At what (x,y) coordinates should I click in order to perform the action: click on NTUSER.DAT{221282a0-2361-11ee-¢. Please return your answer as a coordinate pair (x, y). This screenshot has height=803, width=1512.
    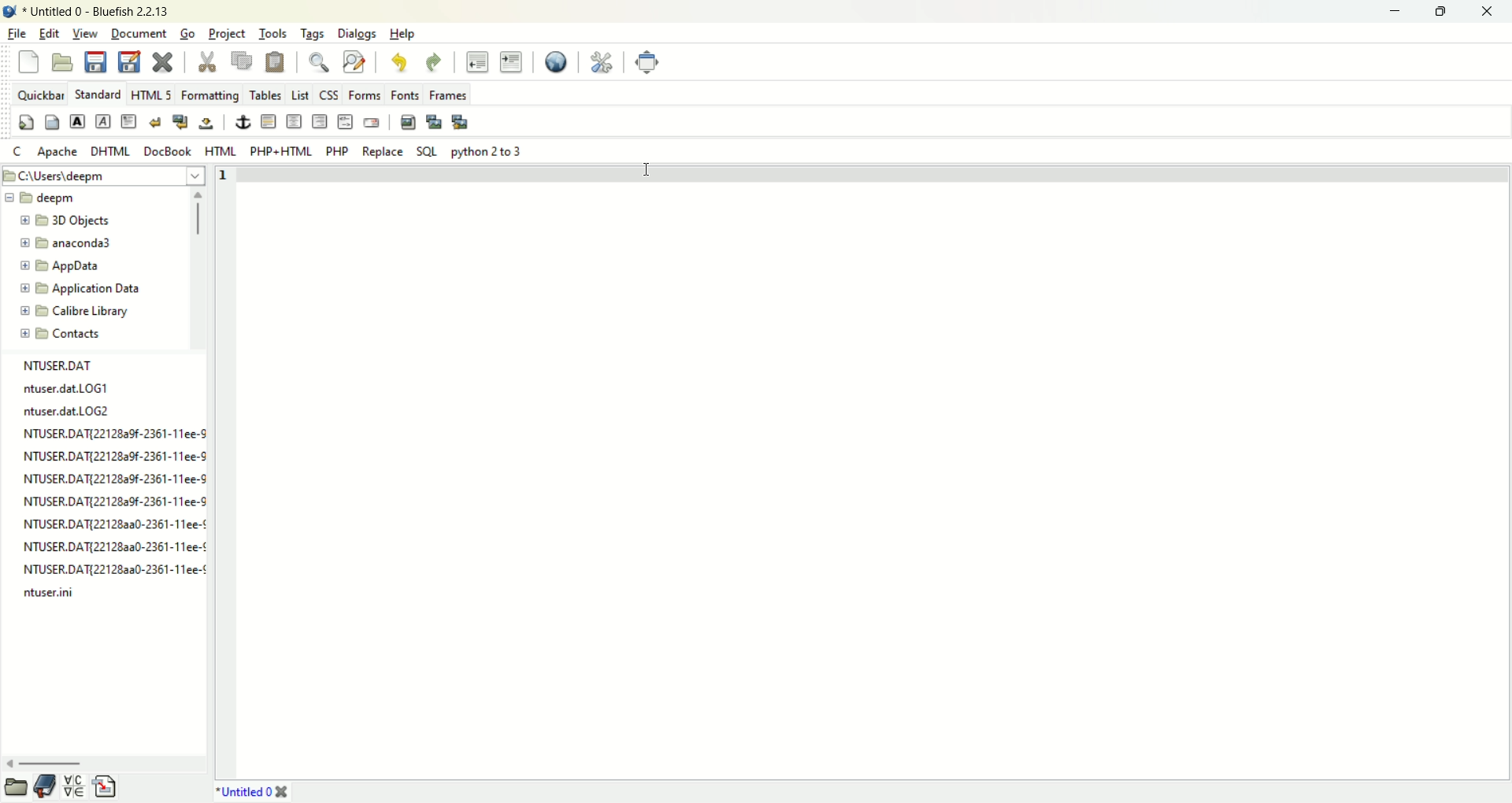
    Looking at the image, I should click on (113, 544).